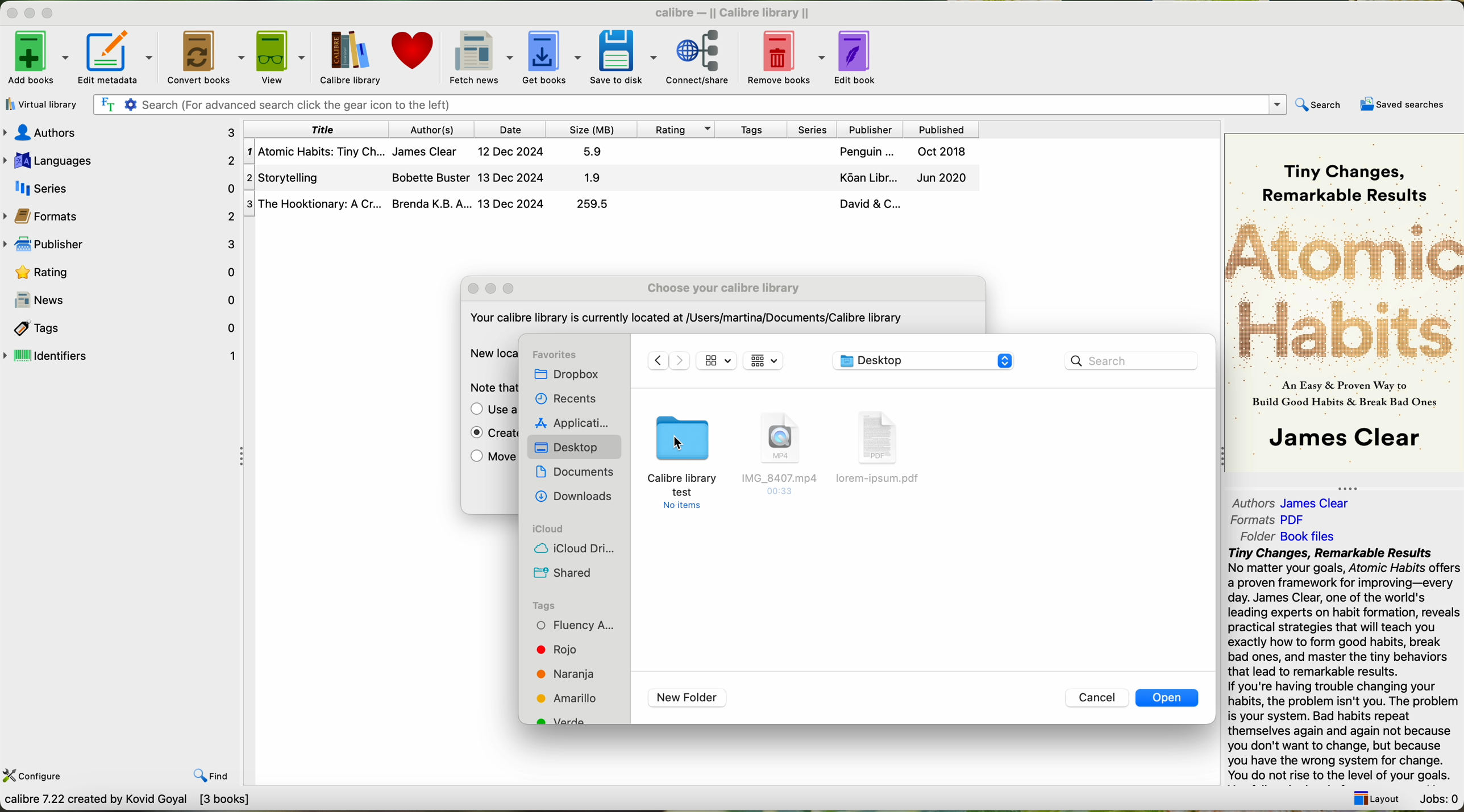 This screenshot has height=812, width=1464. Describe the element at coordinates (1345, 289) in the screenshot. I see `Atomic Habits` at that location.